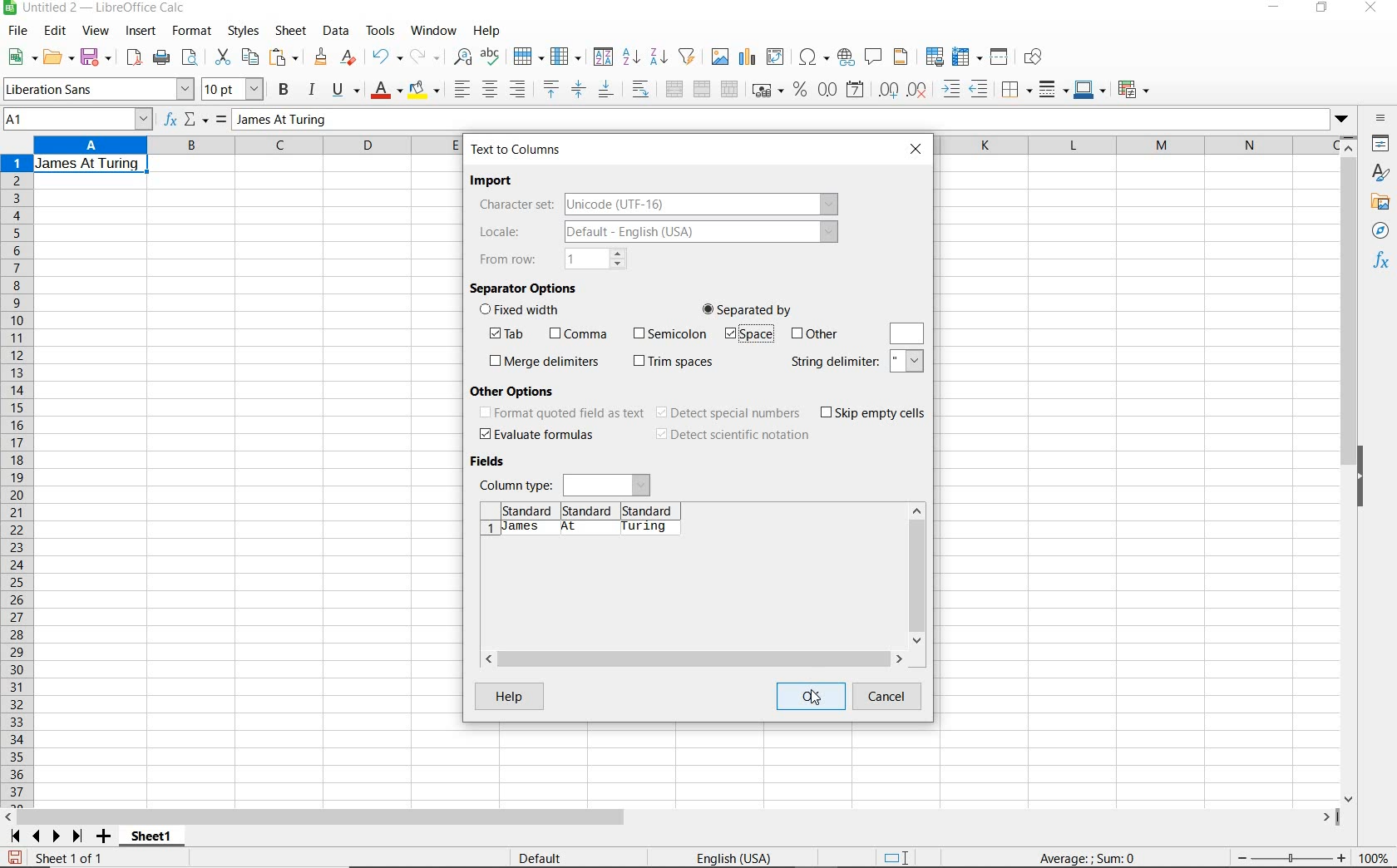  What do you see at coordinates (560, 414) in the screenshot?
I see `format quoted field as text` at bounding box center [560, 414].